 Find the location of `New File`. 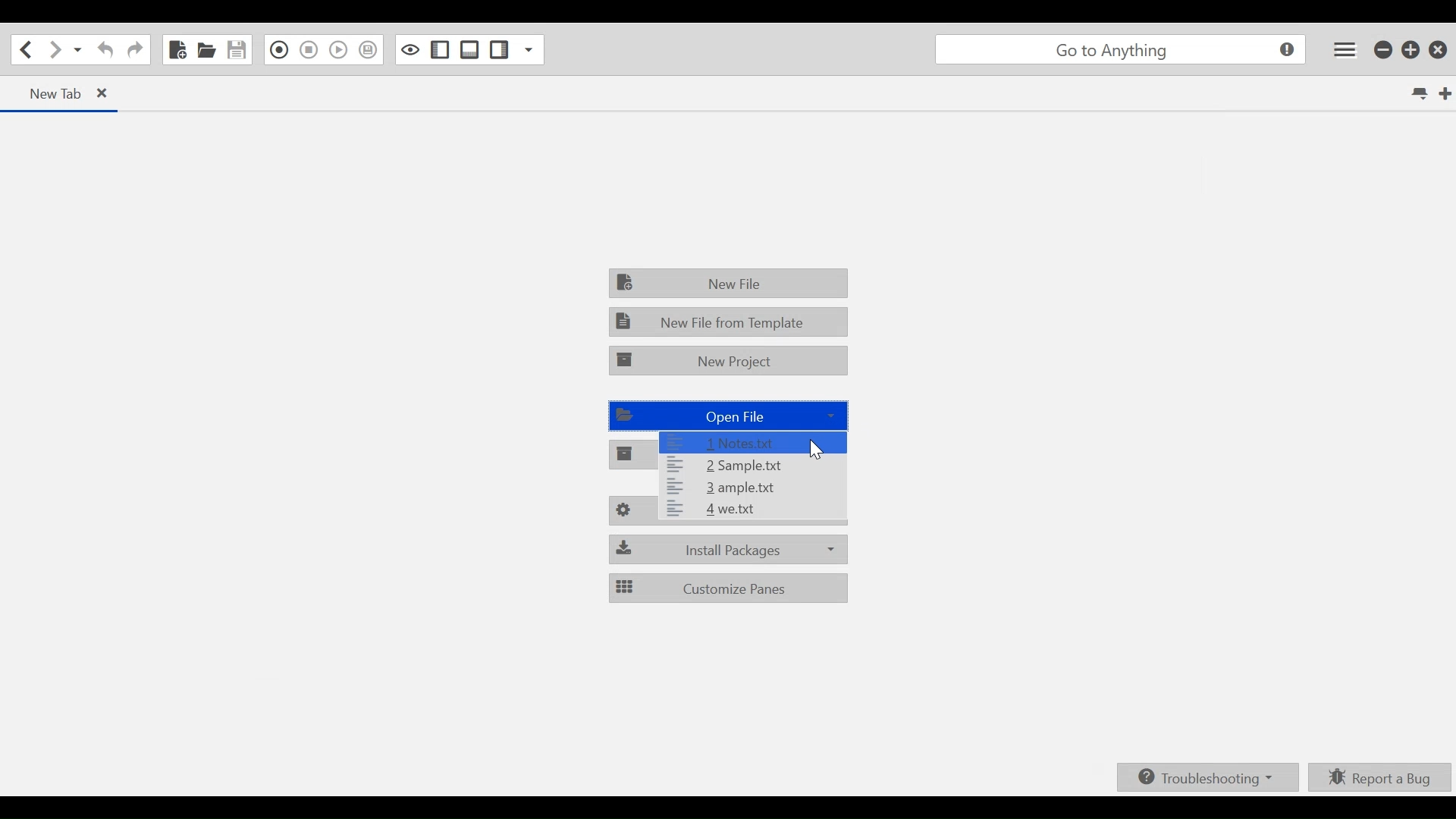

New File is located at coordinates (730, 281).